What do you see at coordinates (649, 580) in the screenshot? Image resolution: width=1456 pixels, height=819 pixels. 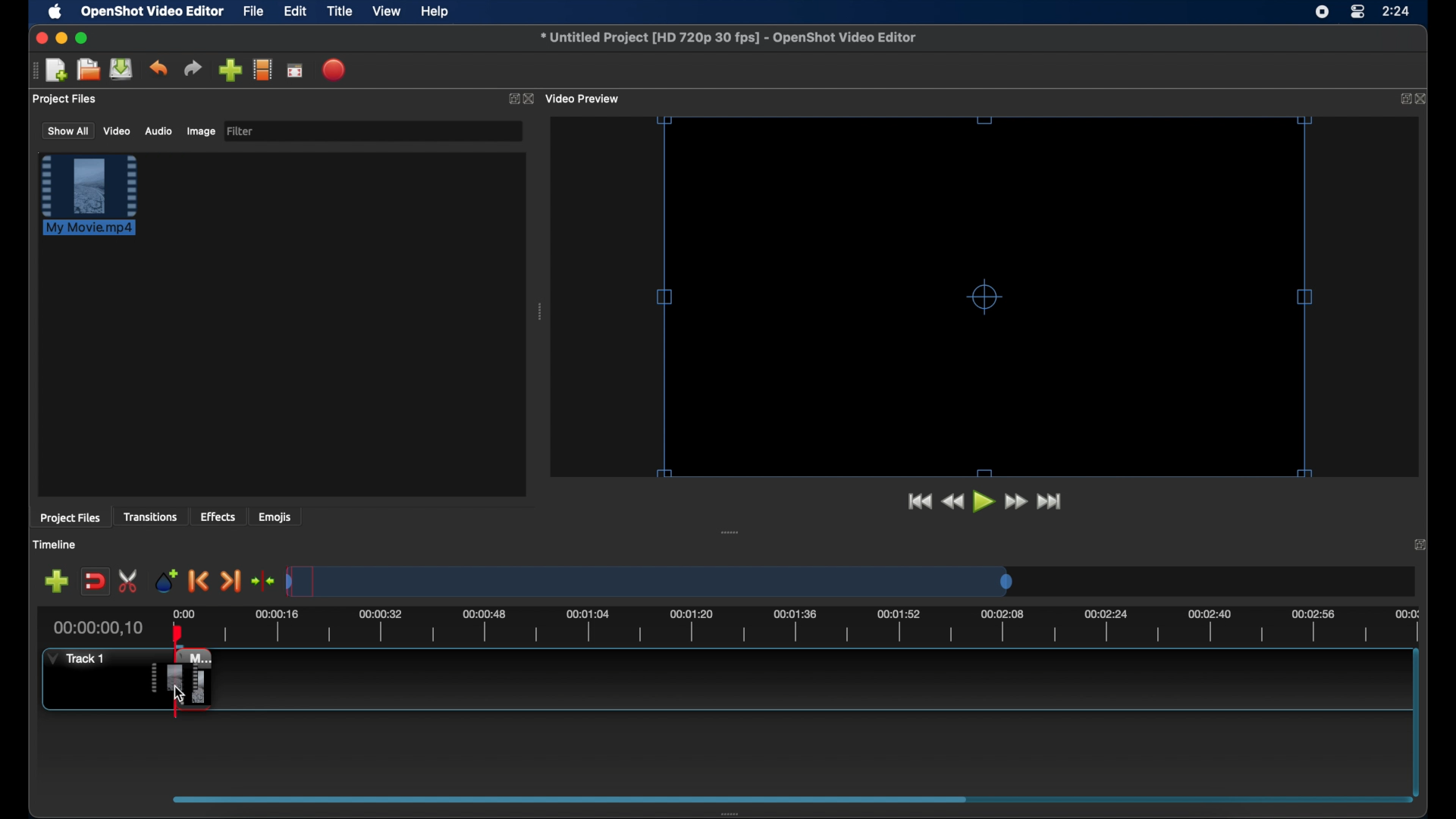 I see `timeline scale` at bounding box center [649, 580].